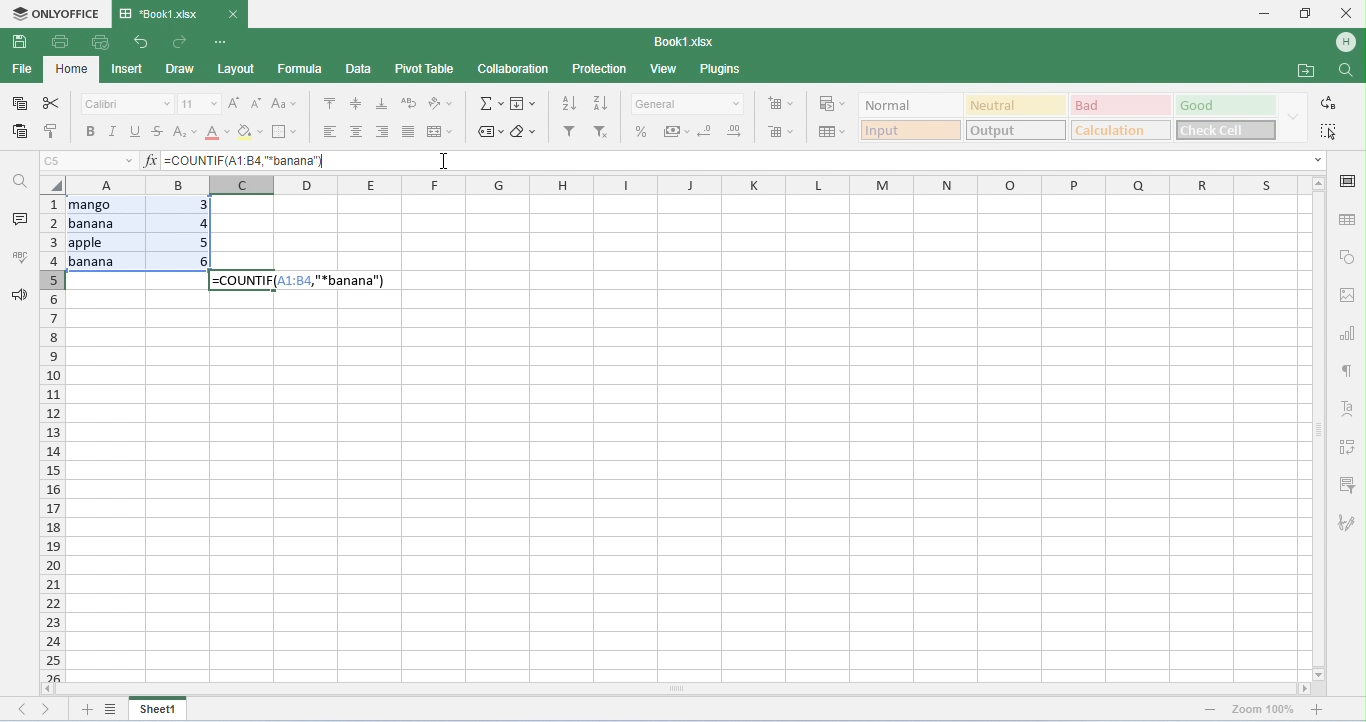 Image resolution: width=1366 pixels, height=722 pixels. Describe the element at coordinates (1350, 334) in the screenshot. I see `chart settings` at that location.